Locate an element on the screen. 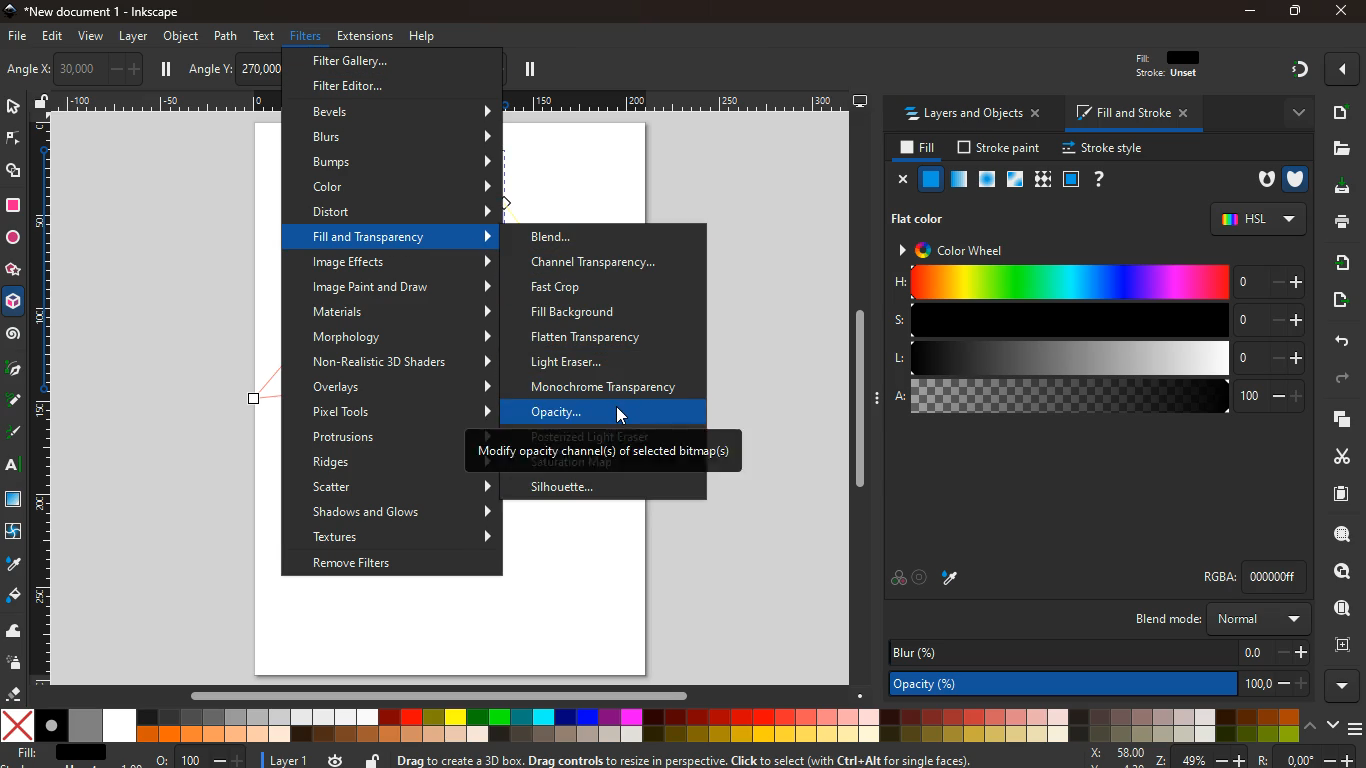 This screenshot has height=768, width=1366. use is located at coordinates (1336, 609).